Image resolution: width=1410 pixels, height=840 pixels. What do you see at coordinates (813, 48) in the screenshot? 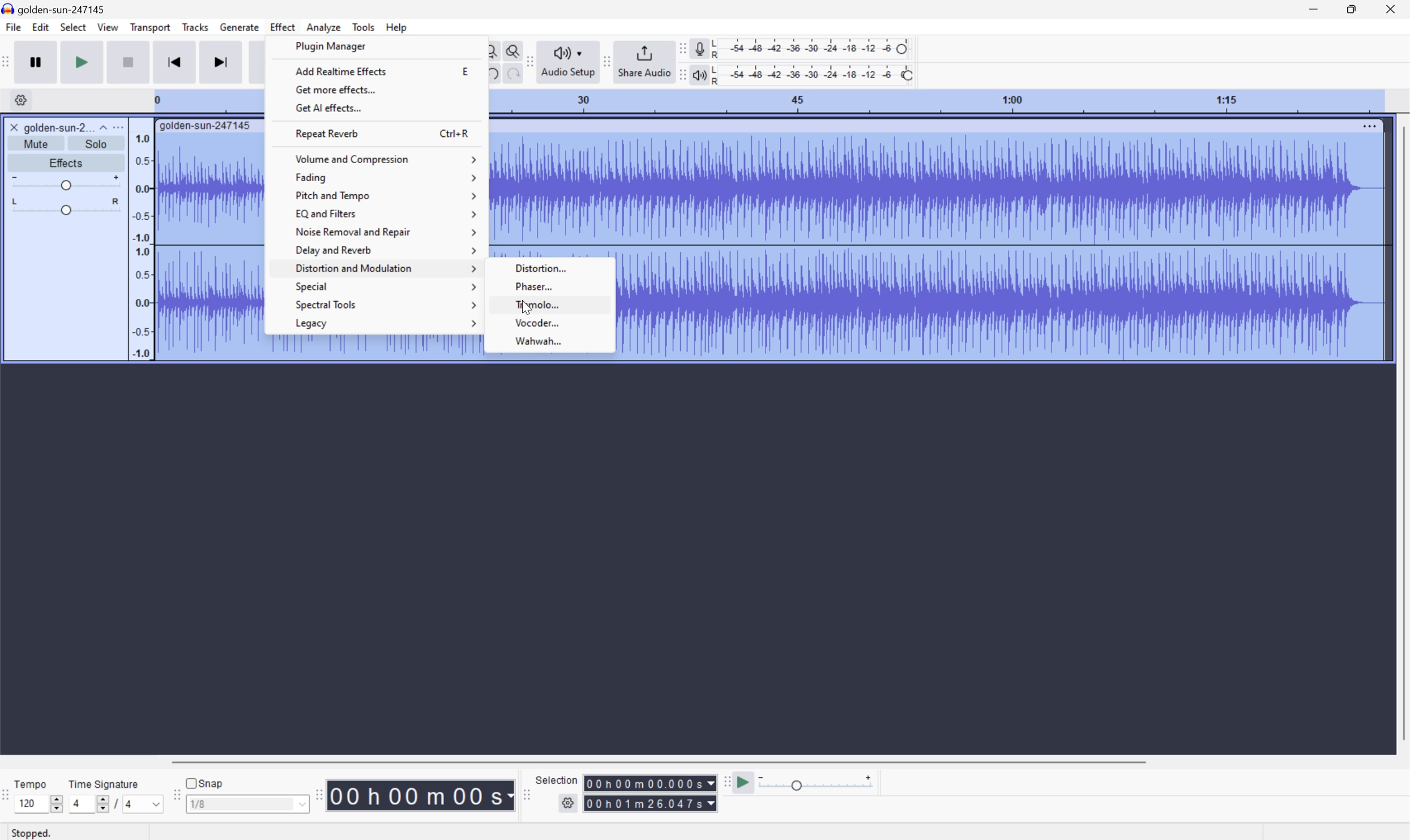
I see `Recording level: 62%` at bounding box center [813, 48].